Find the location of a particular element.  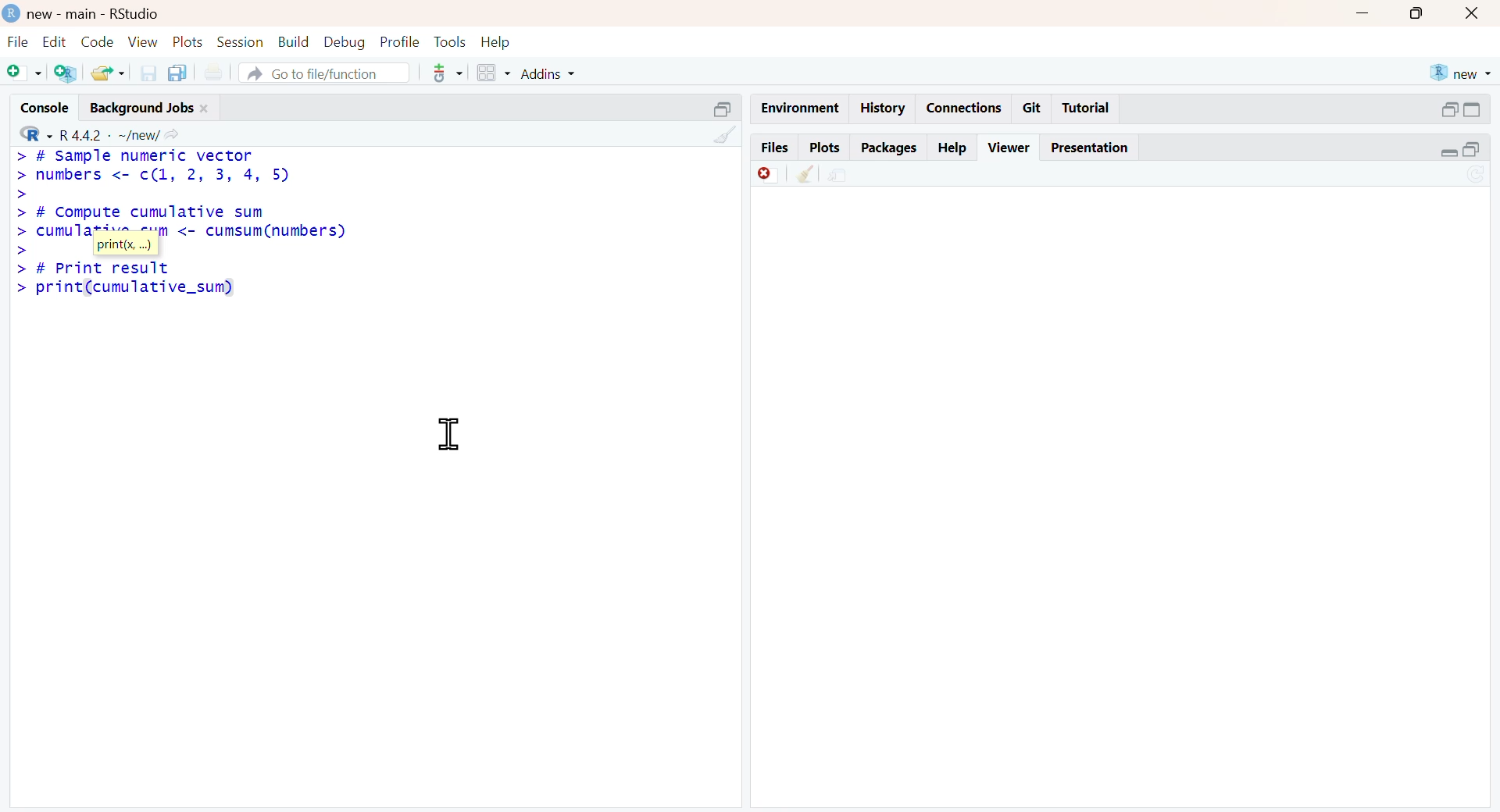

> is located at coordinates (23, 251).